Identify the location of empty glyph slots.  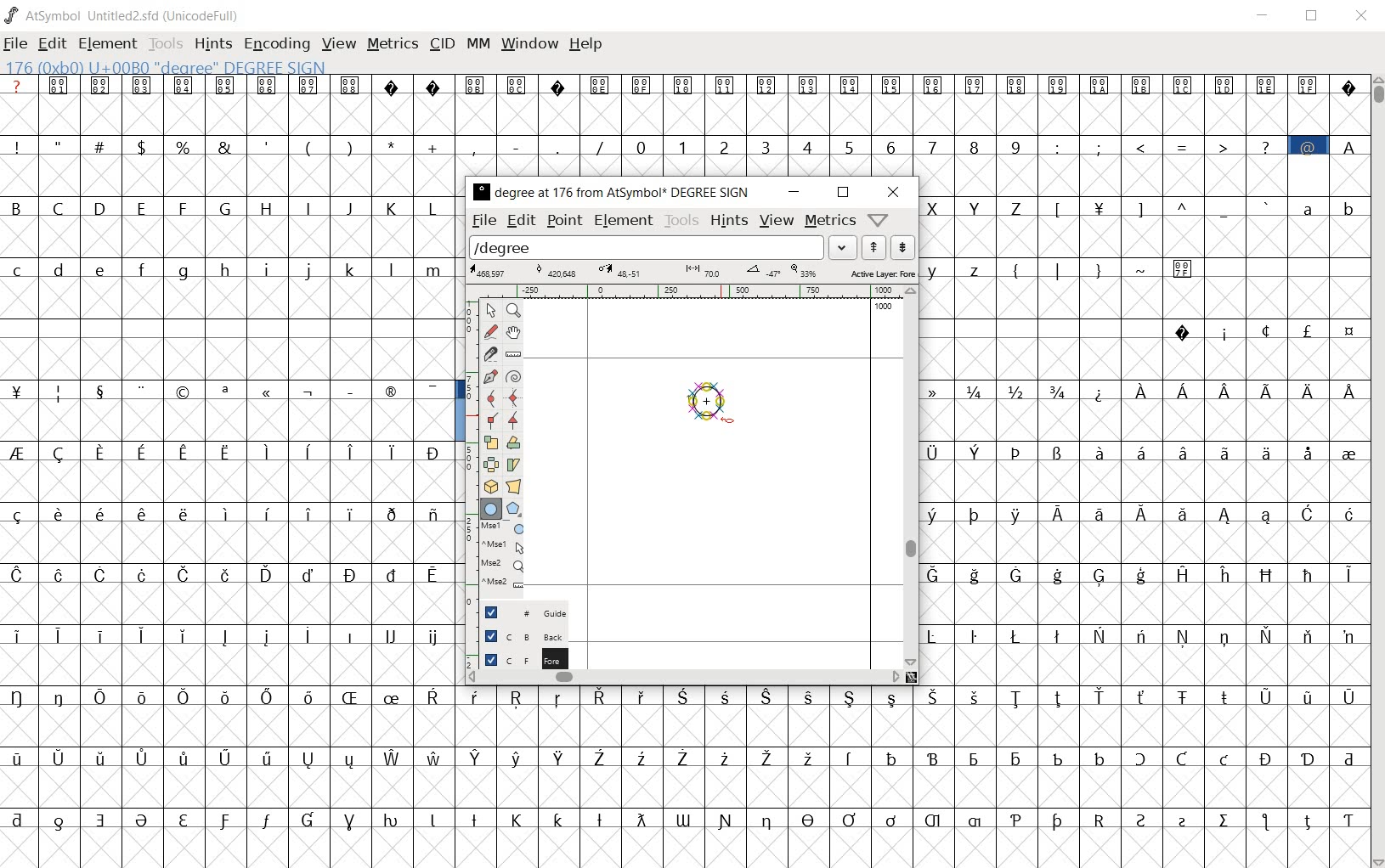
(1146, 605).